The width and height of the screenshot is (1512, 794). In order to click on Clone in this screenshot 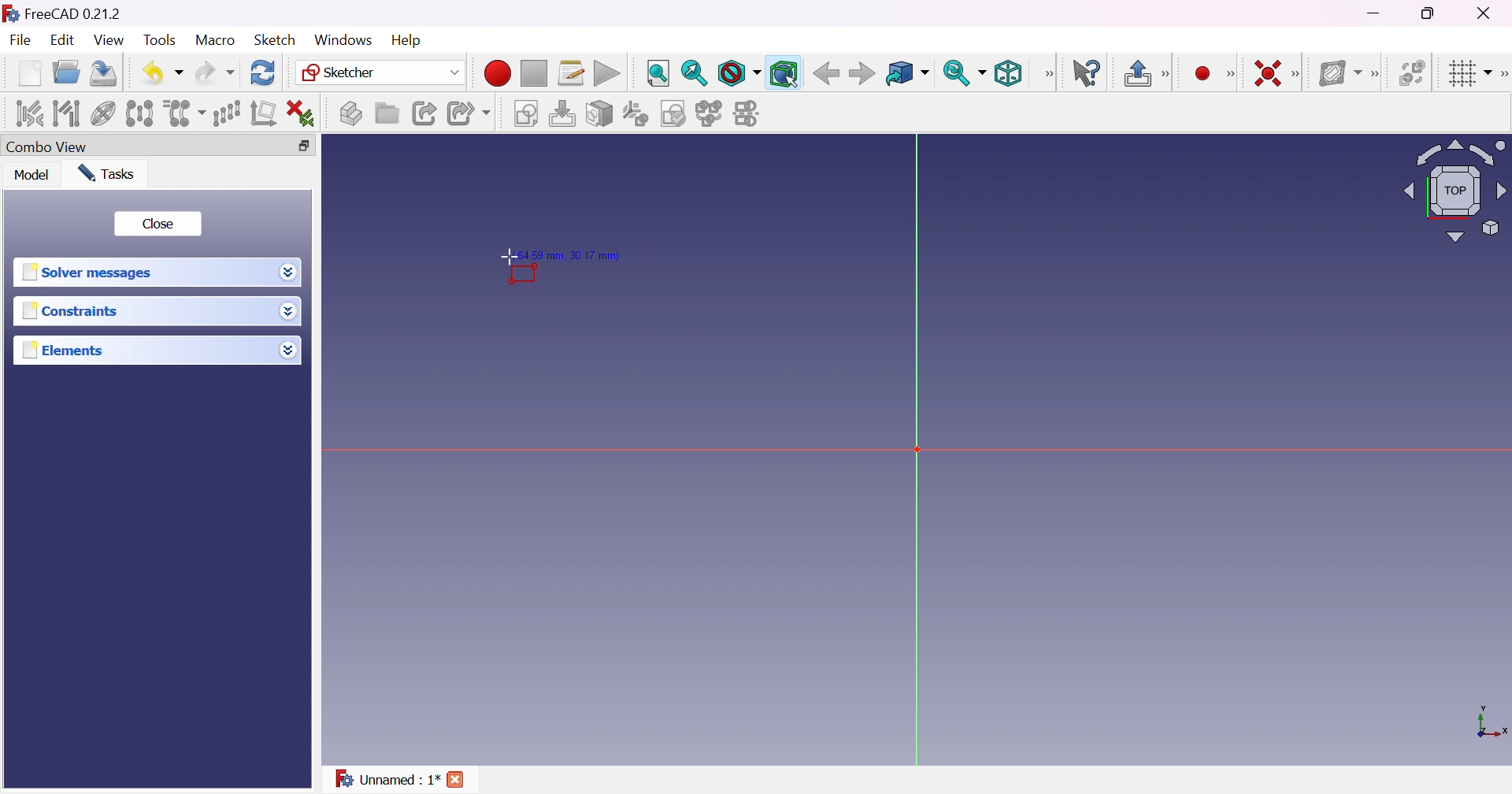, I will do `click(183, 113)`.